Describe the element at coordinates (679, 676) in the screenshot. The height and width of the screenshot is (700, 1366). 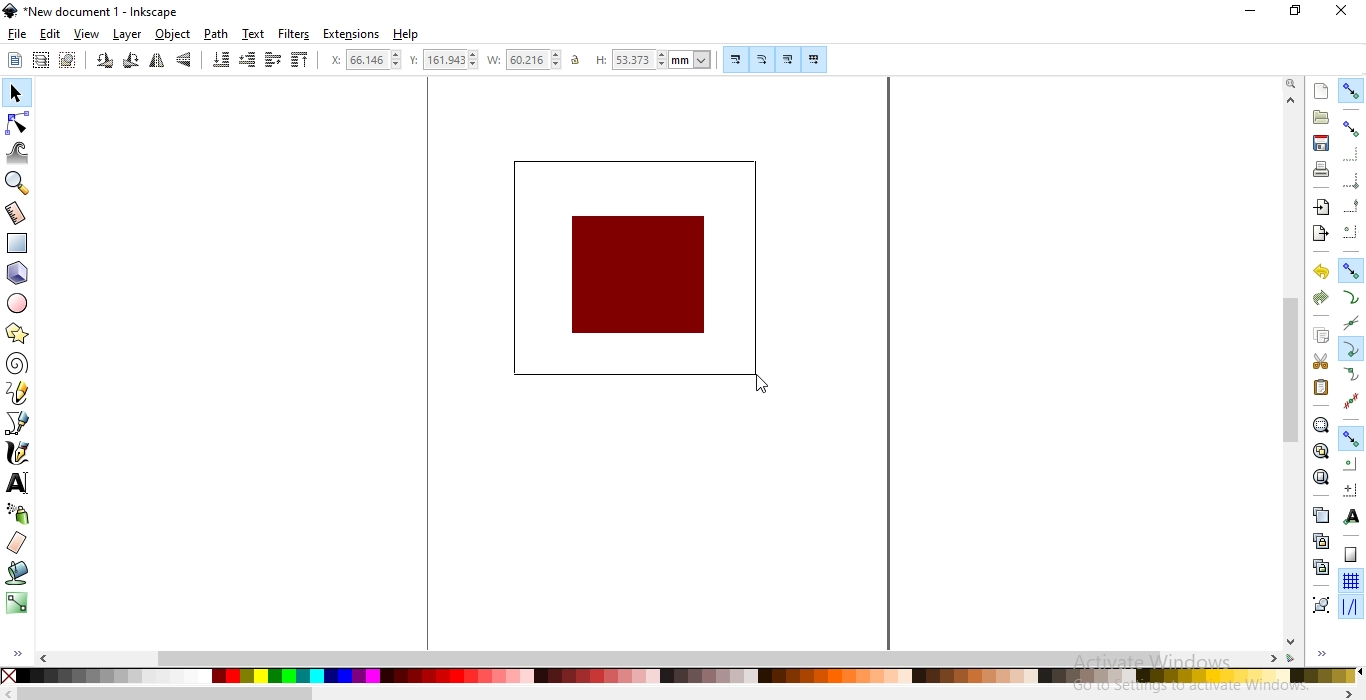
I see `color` at that location.